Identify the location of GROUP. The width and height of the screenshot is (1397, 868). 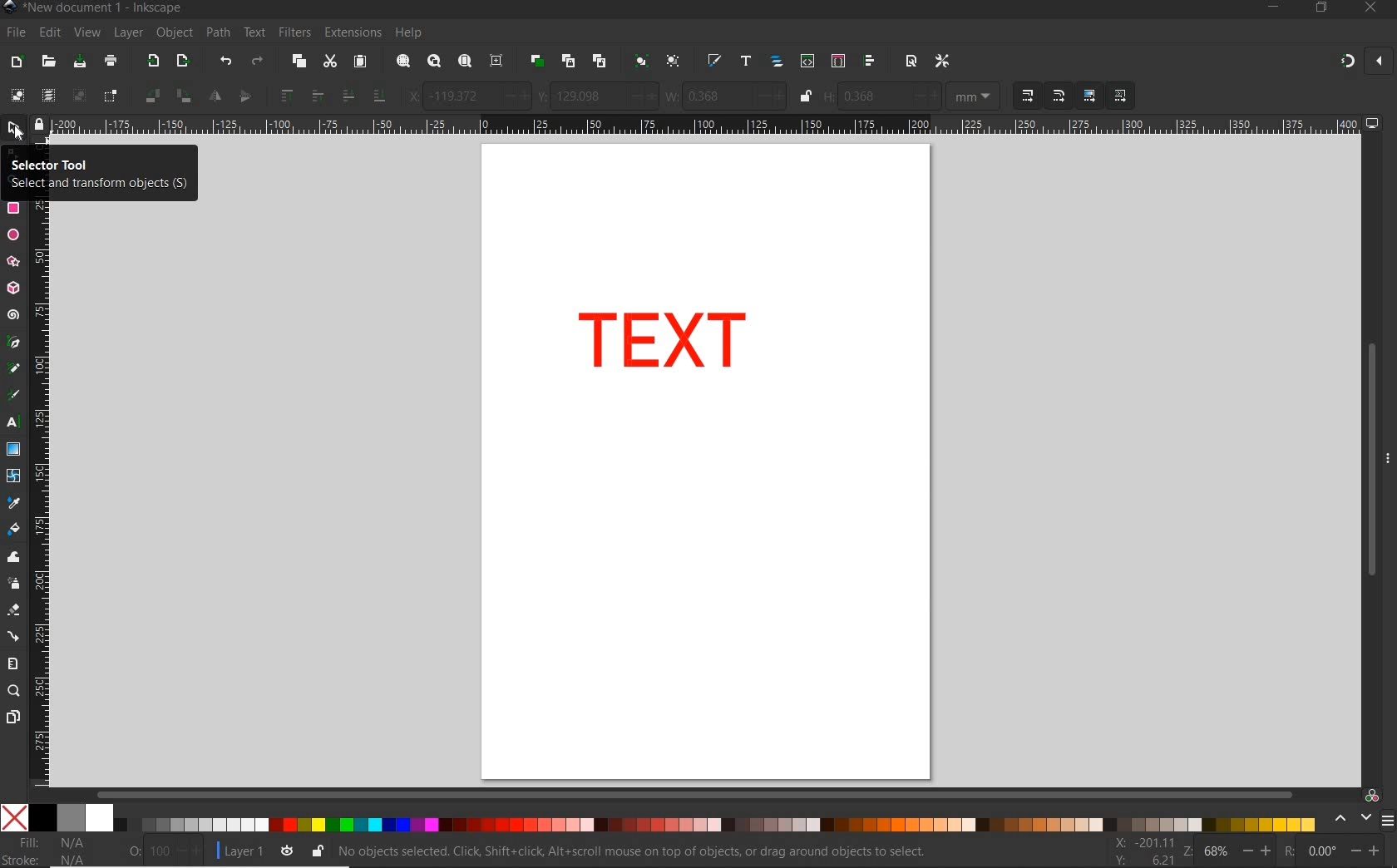
(639, 60).